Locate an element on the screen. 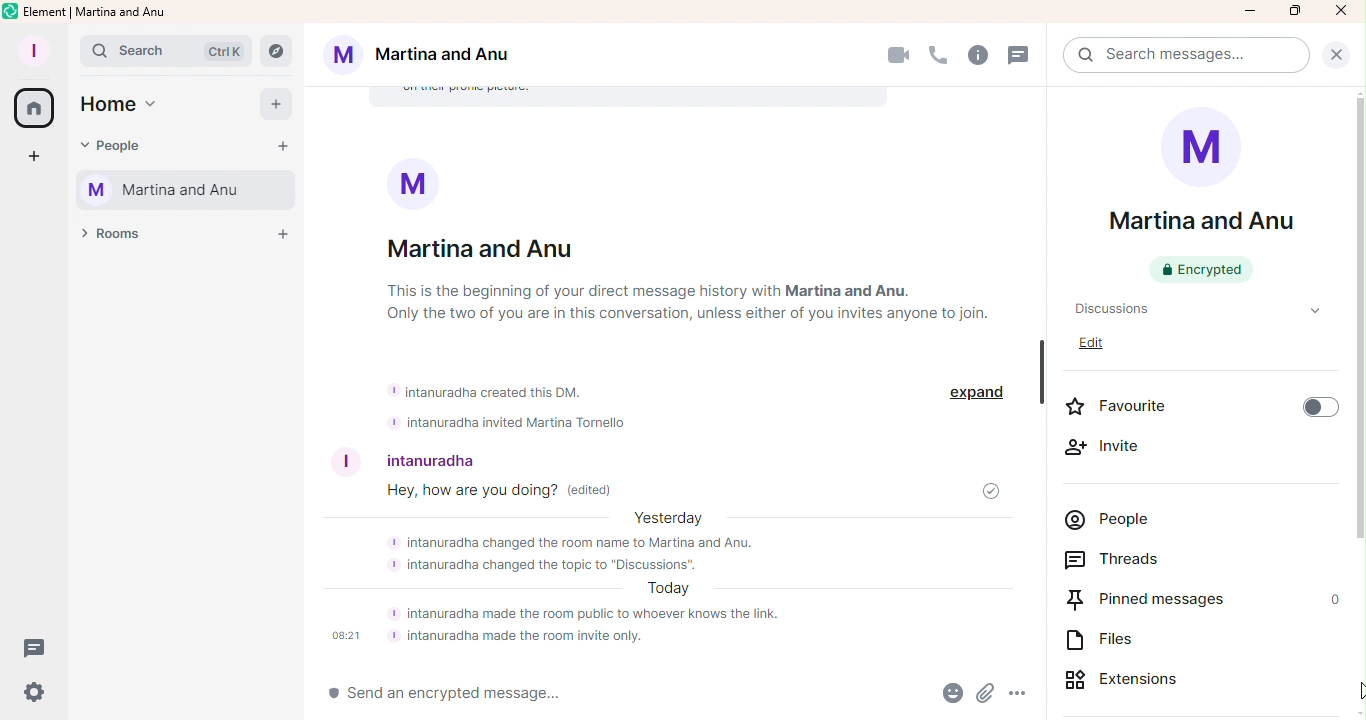 Image resolution: width=1366 pixels, height=720 pixels. Room info is located at coordinates (688, 255).